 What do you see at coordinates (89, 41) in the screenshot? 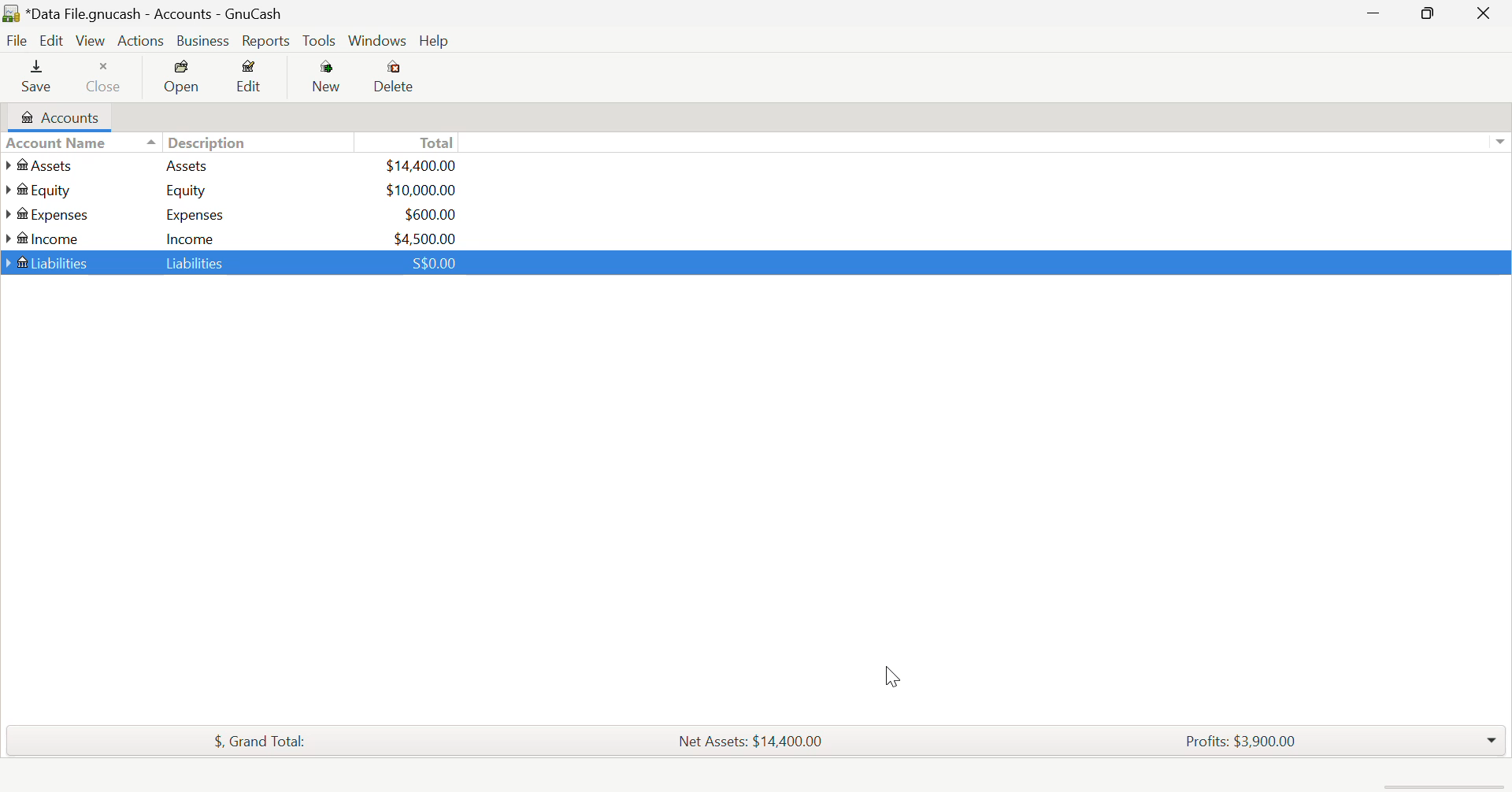
I see `View` at bounding box center [89, 41].